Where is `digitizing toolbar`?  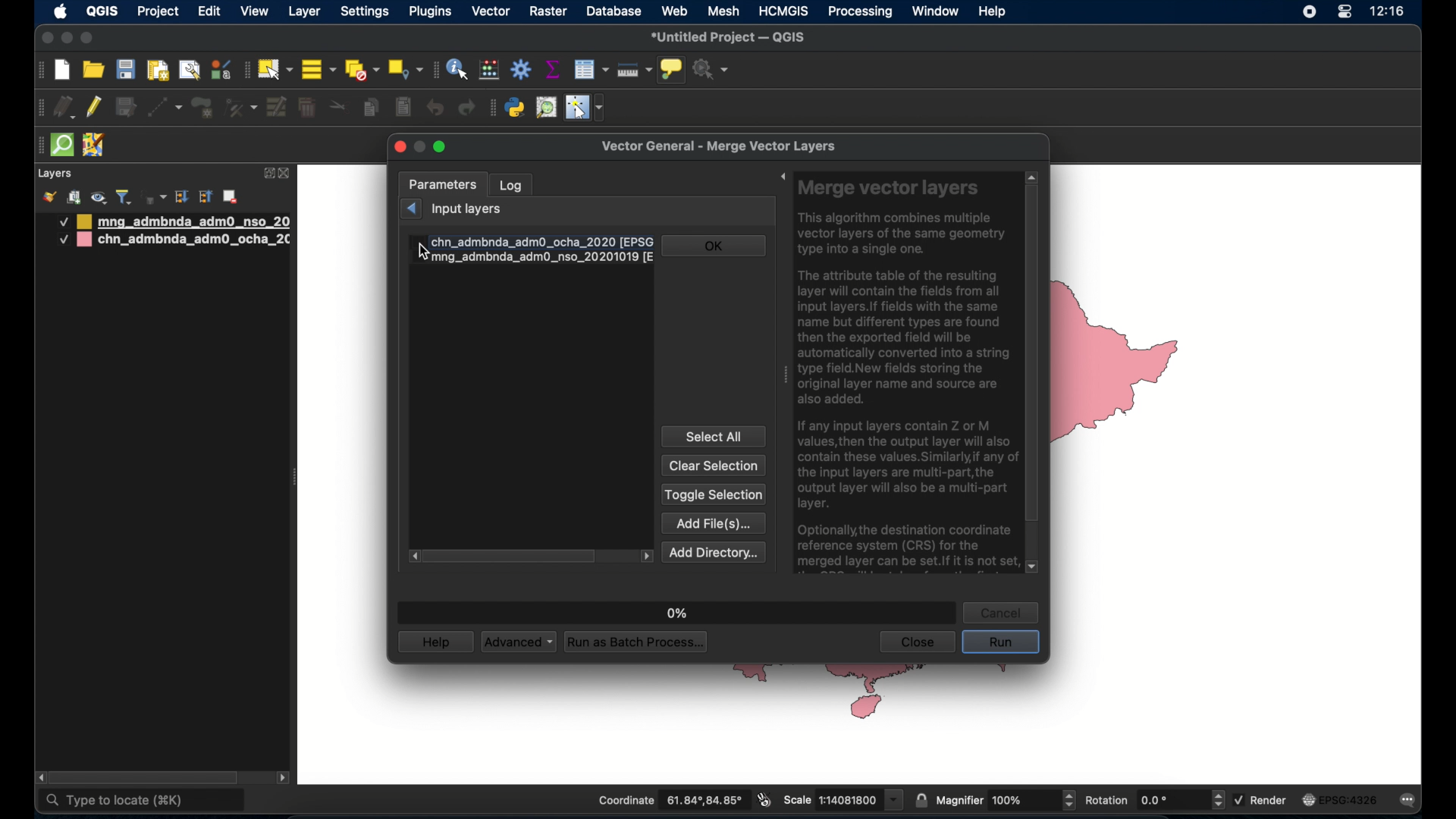 digitizing toolbar is located at coordinates (42, 110).